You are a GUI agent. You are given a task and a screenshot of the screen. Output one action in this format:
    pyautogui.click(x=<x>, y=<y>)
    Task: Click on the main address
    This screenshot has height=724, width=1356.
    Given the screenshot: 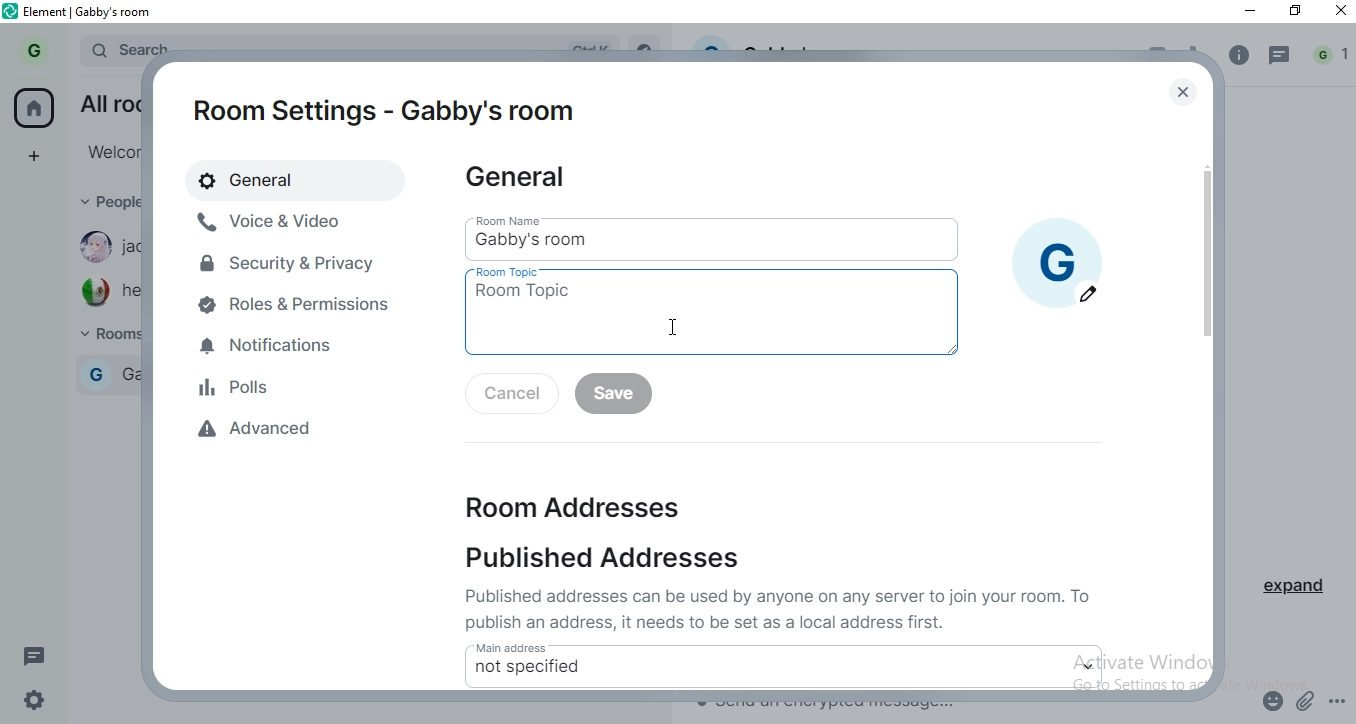 What is the action you would take?
    pyautogui.click(x=621, y=646)
    